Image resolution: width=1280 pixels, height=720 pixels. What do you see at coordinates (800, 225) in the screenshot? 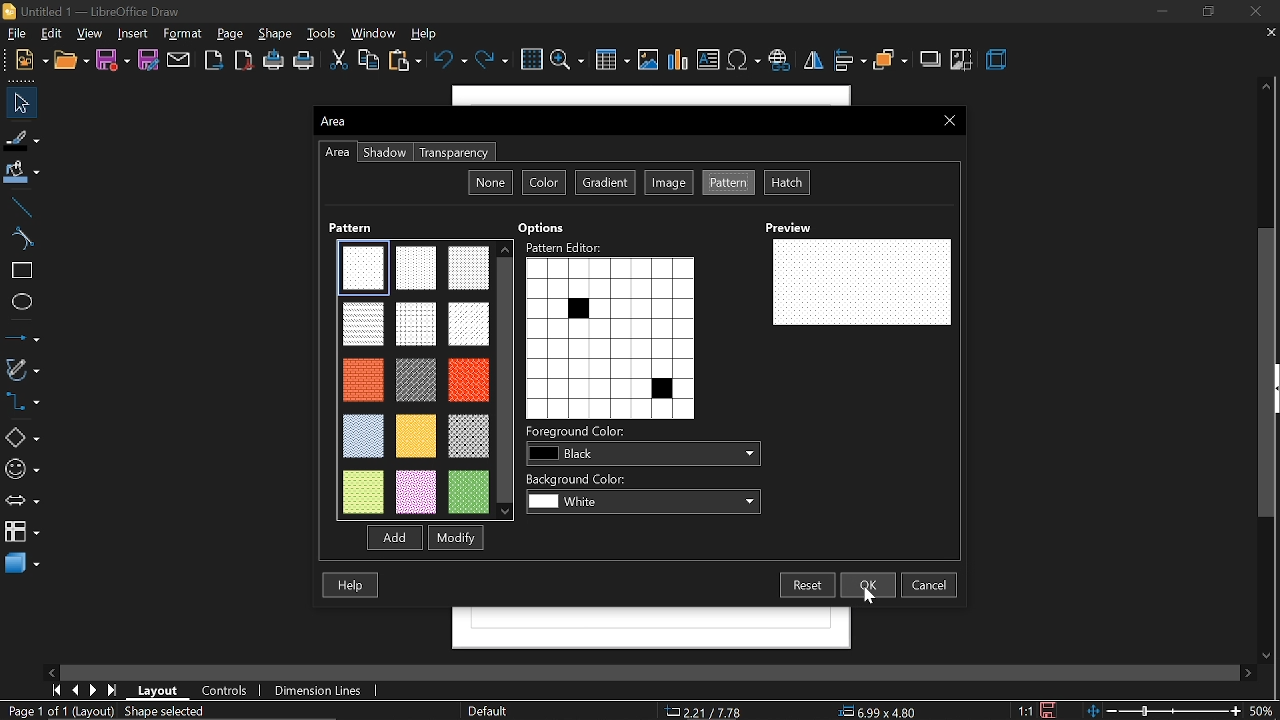
I see `Perview` at bounding box center [800, 225].